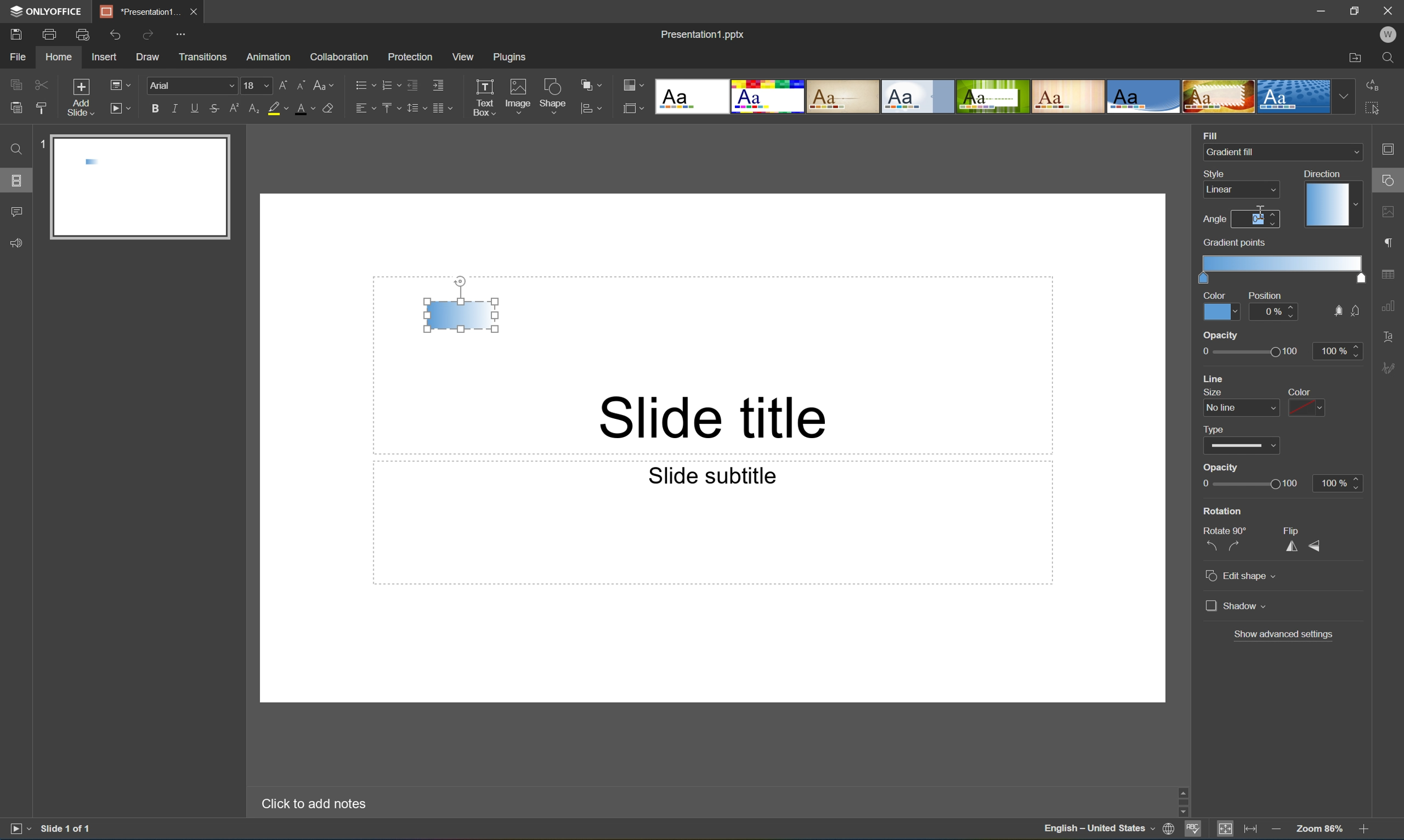  What do you see at coordinates (303, 108) in the screenshot?
I see `Font color` at bounding box center [303, 108].